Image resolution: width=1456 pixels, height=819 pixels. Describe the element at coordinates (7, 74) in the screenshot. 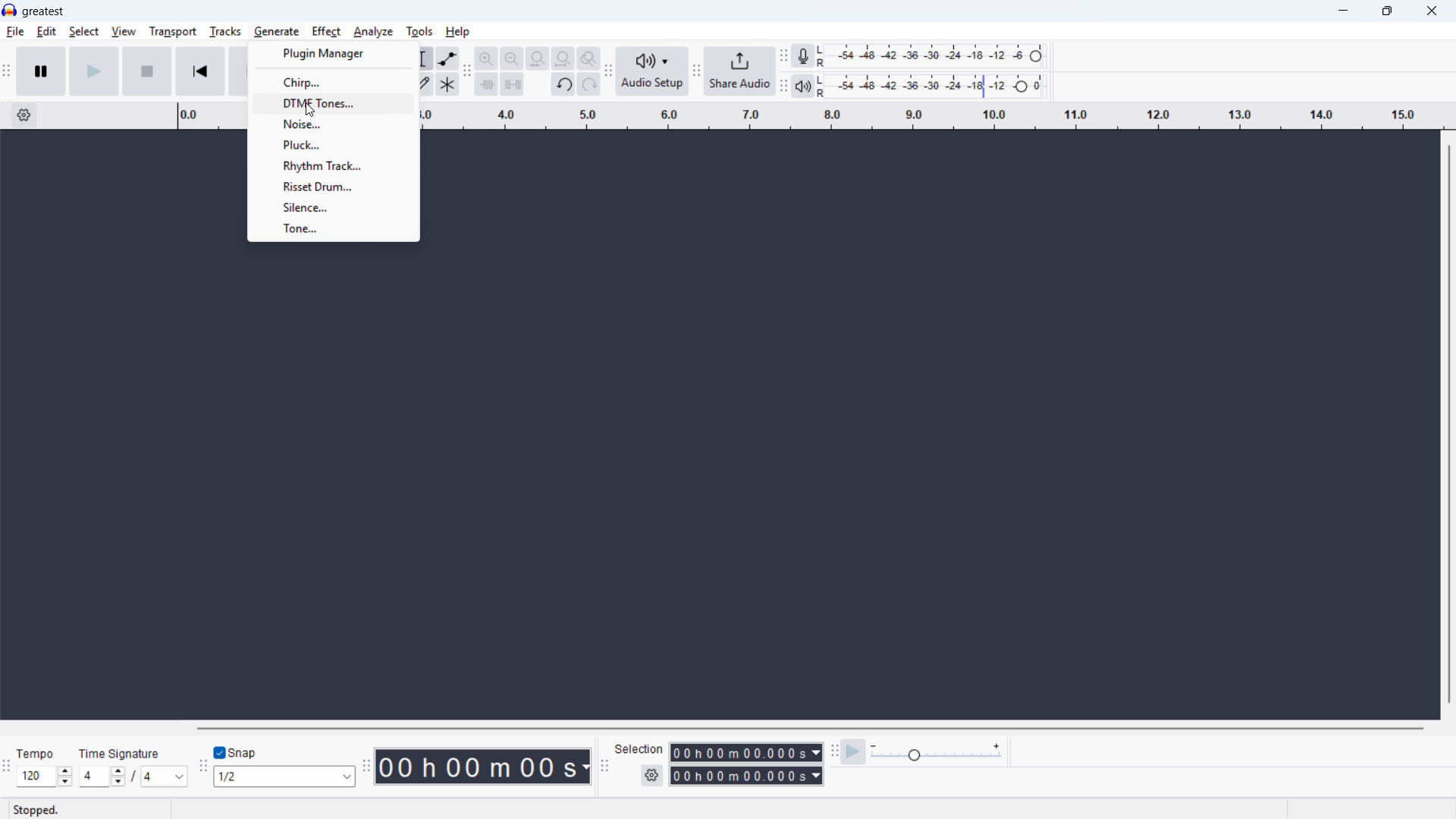

I see `transport toolbar` at that location.